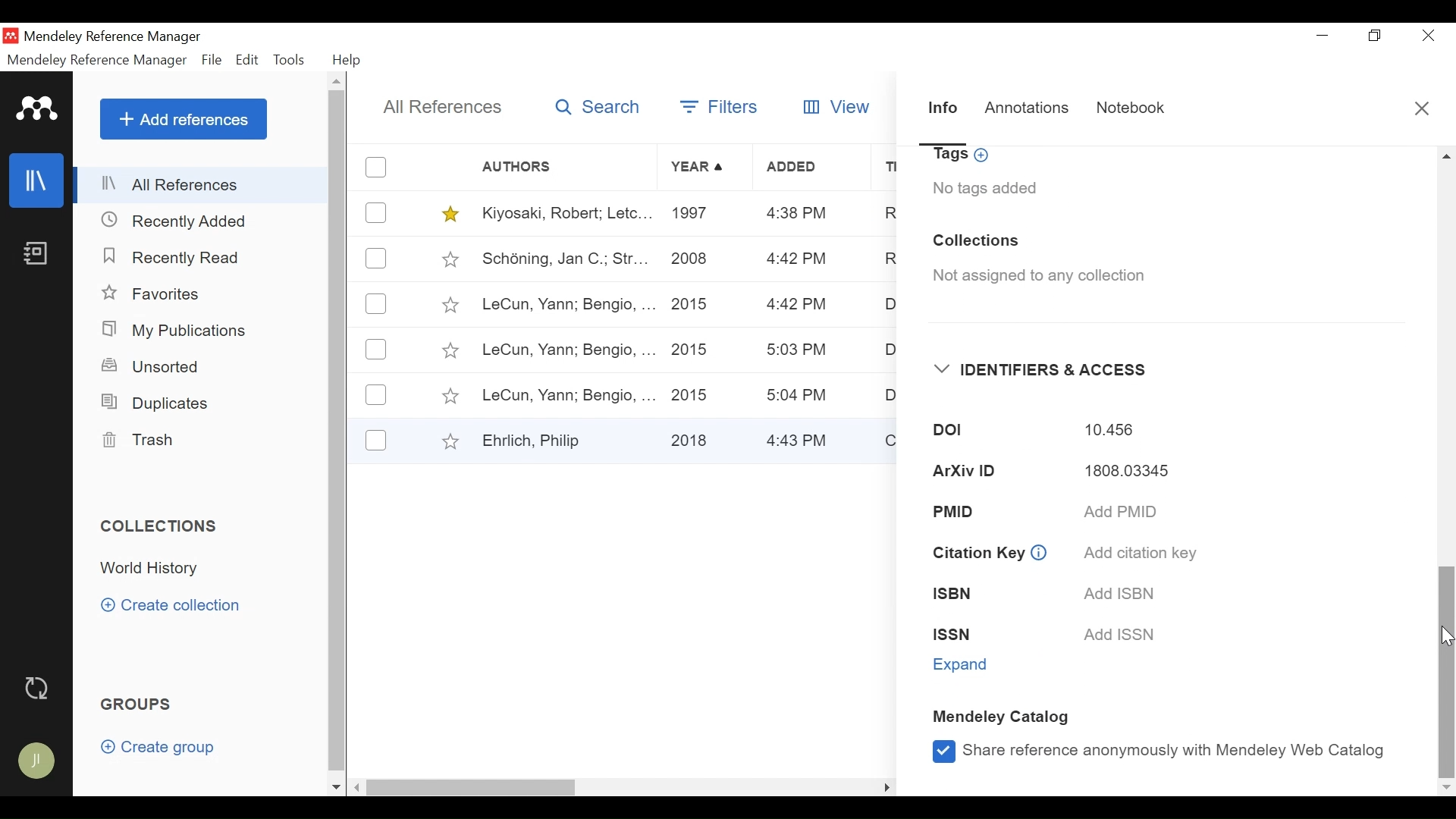 The height and width of the screenshot is (819, 1456). I want to click on Tools, so click(290, 61).